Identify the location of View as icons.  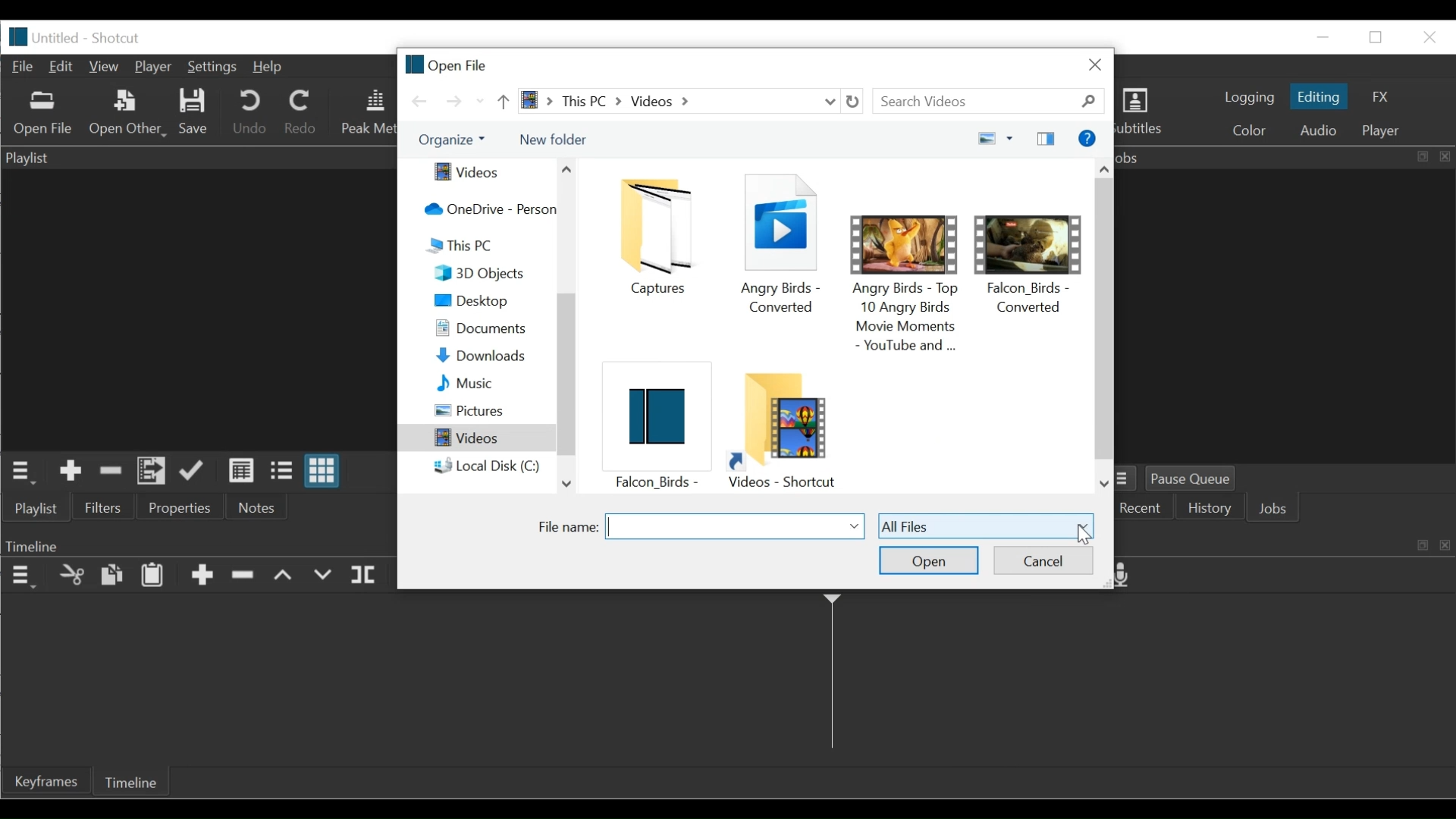
(325, 471).